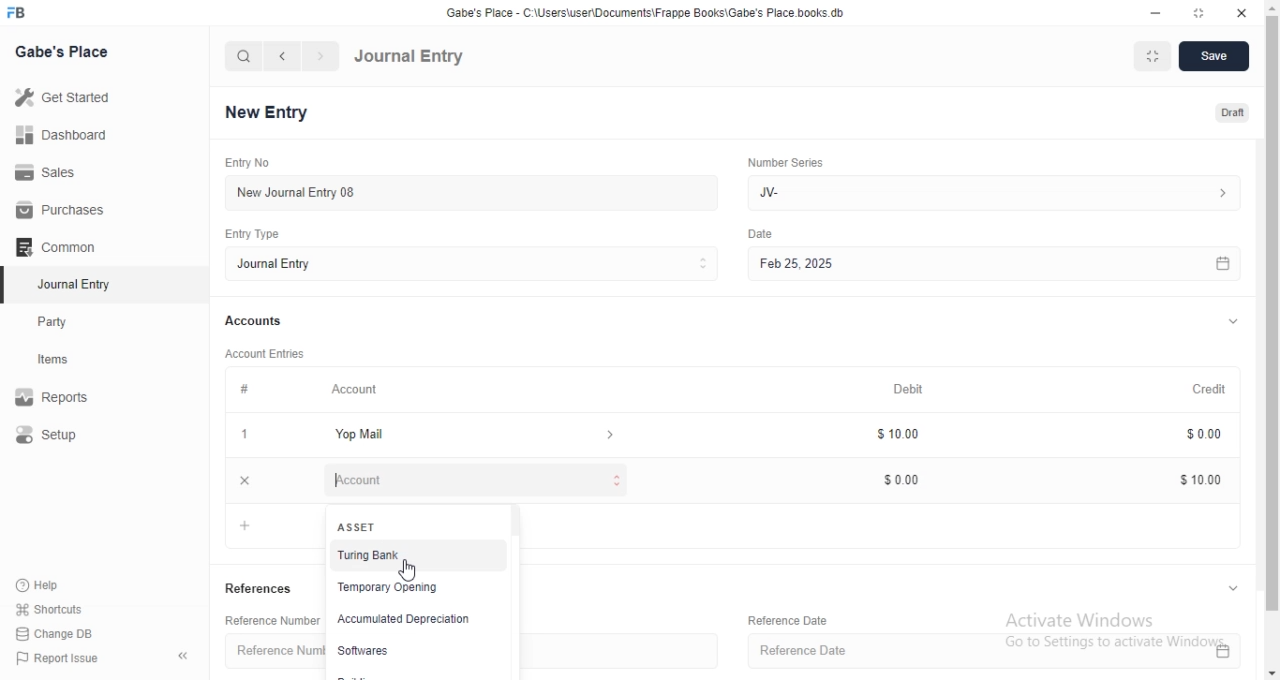  Describe the element at coordinates (1003, 263) in the screenshot. I see `Feb 25, 2025` at that location.